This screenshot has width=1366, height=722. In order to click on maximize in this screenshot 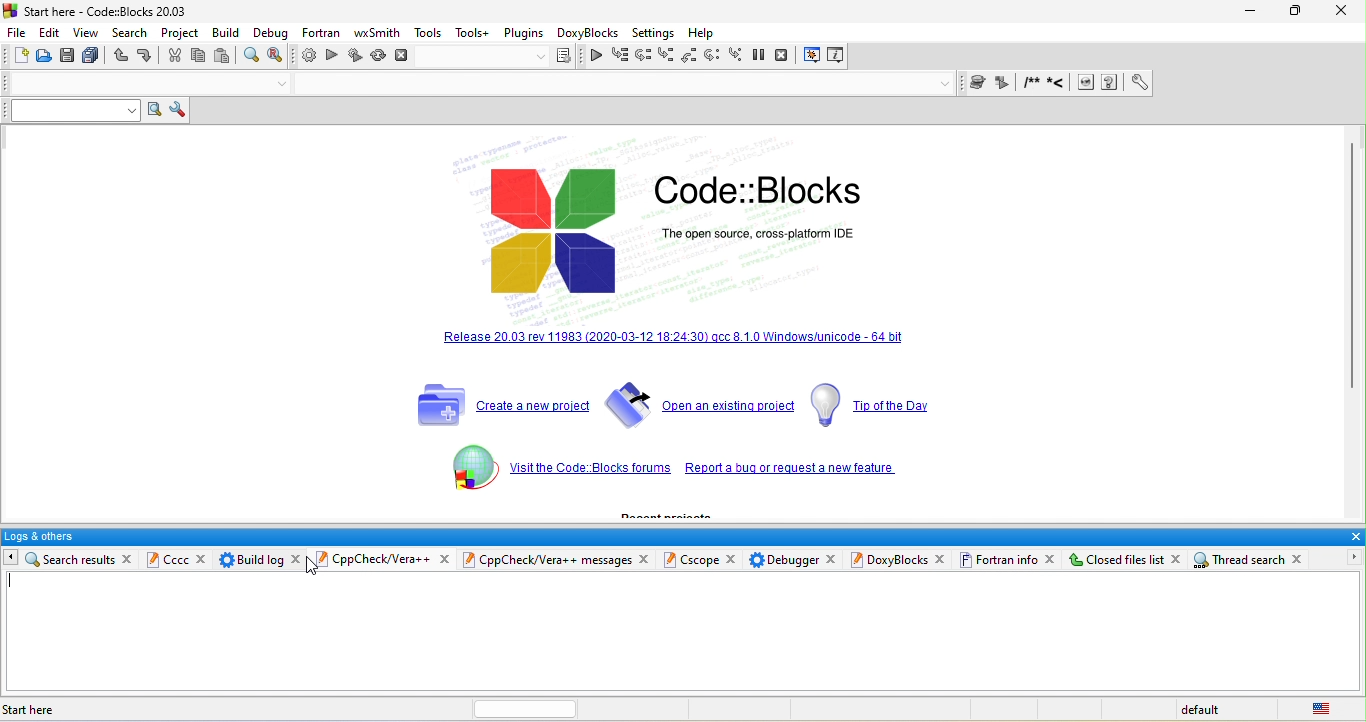, I will do `click(1296, 11)`.